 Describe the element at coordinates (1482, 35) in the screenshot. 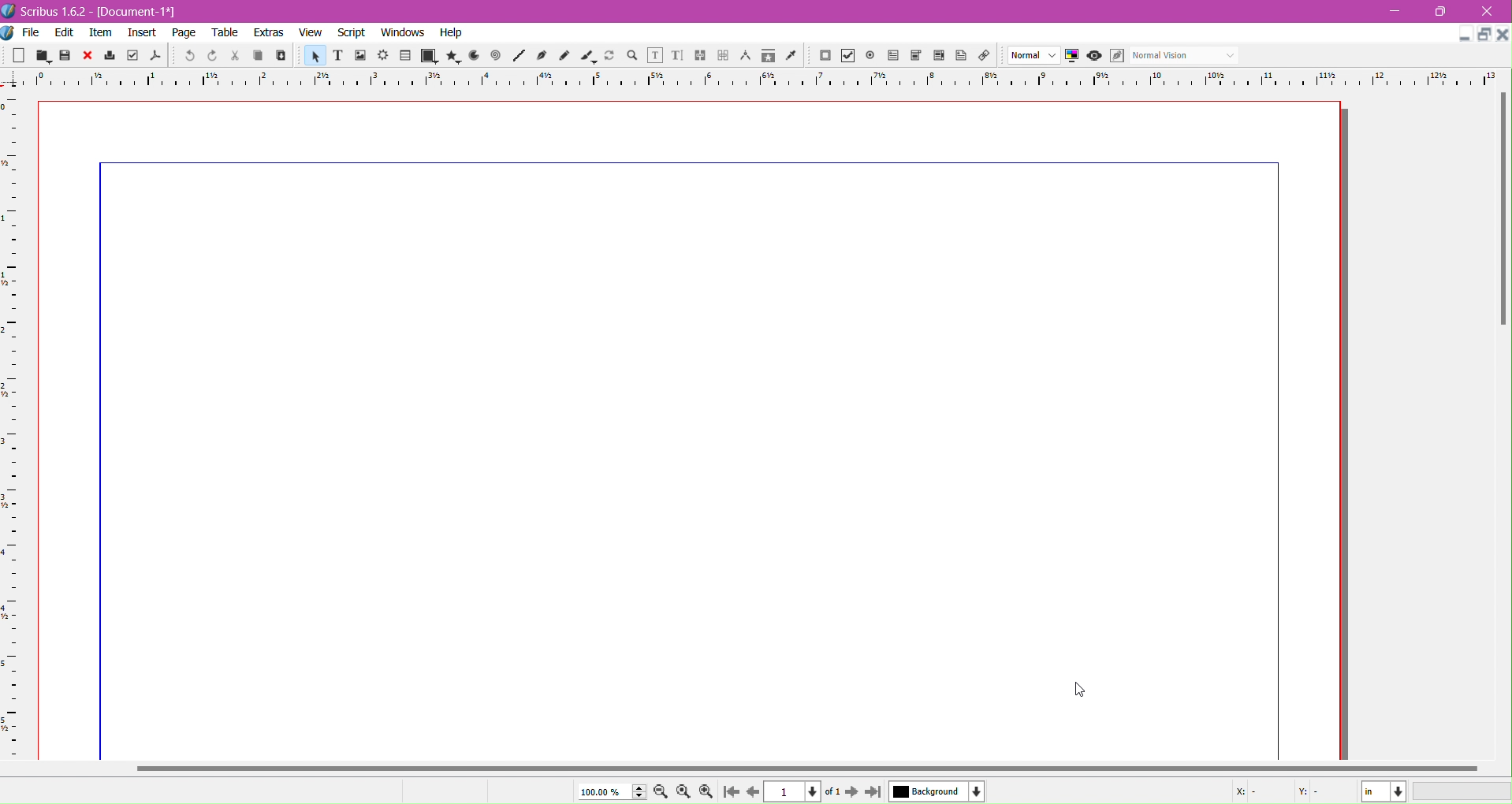

I see `change layout` at that location.